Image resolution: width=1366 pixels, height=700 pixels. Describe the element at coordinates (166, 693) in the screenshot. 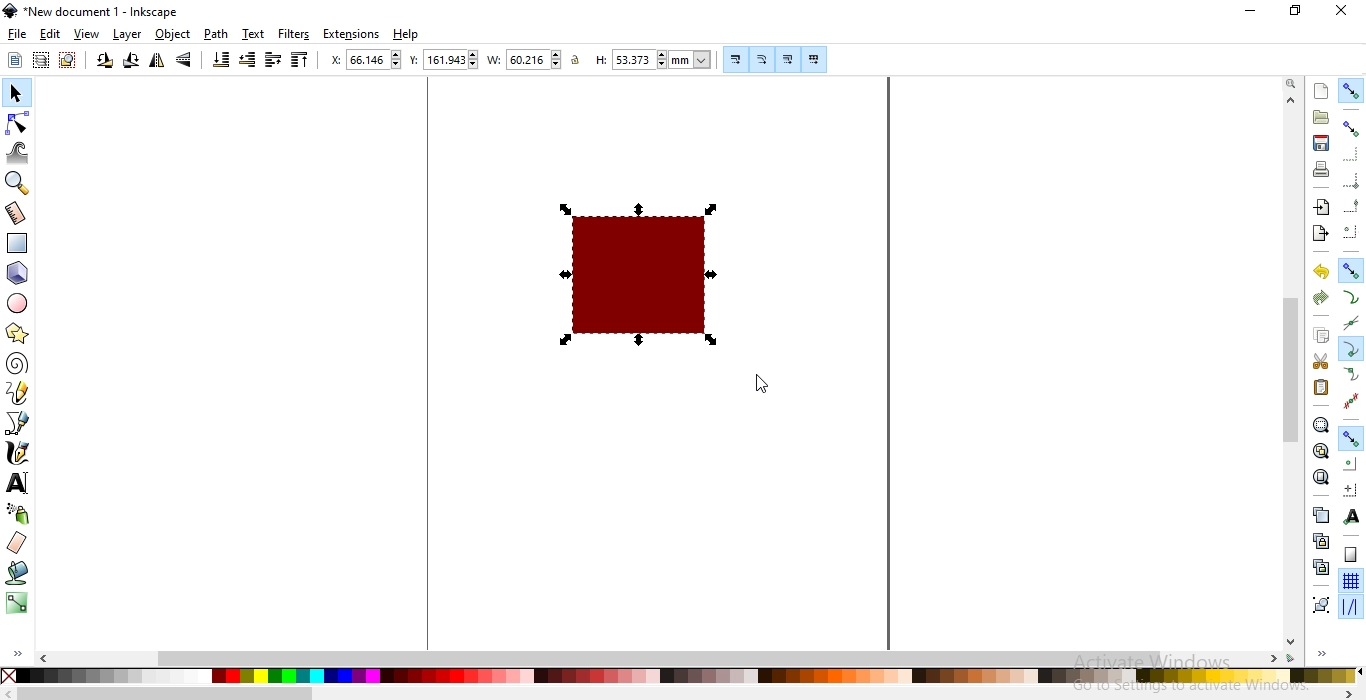

I see `` at that location.